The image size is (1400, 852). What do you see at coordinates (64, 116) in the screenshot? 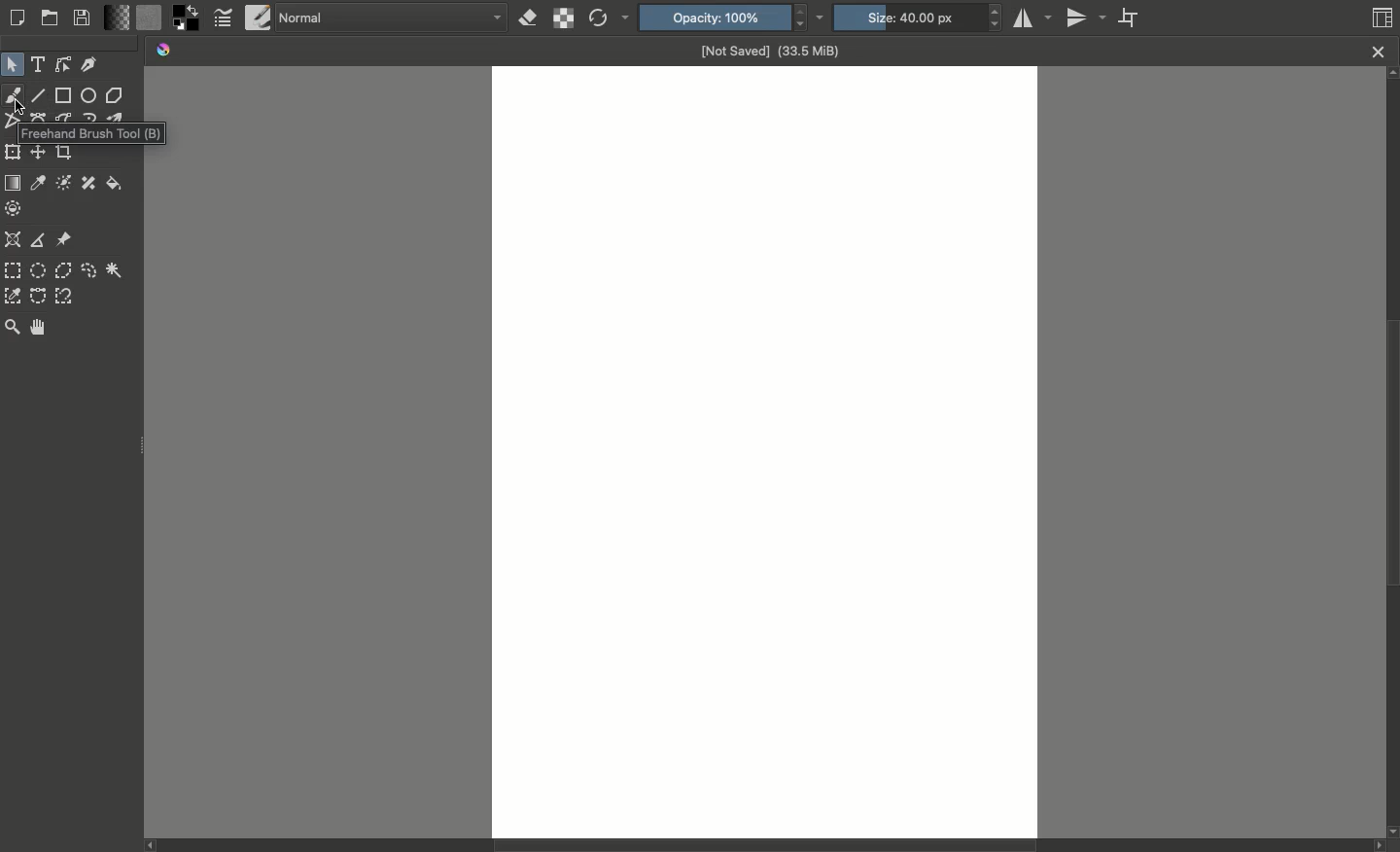
I see `Freehand path` at bounding box center [64, 116].